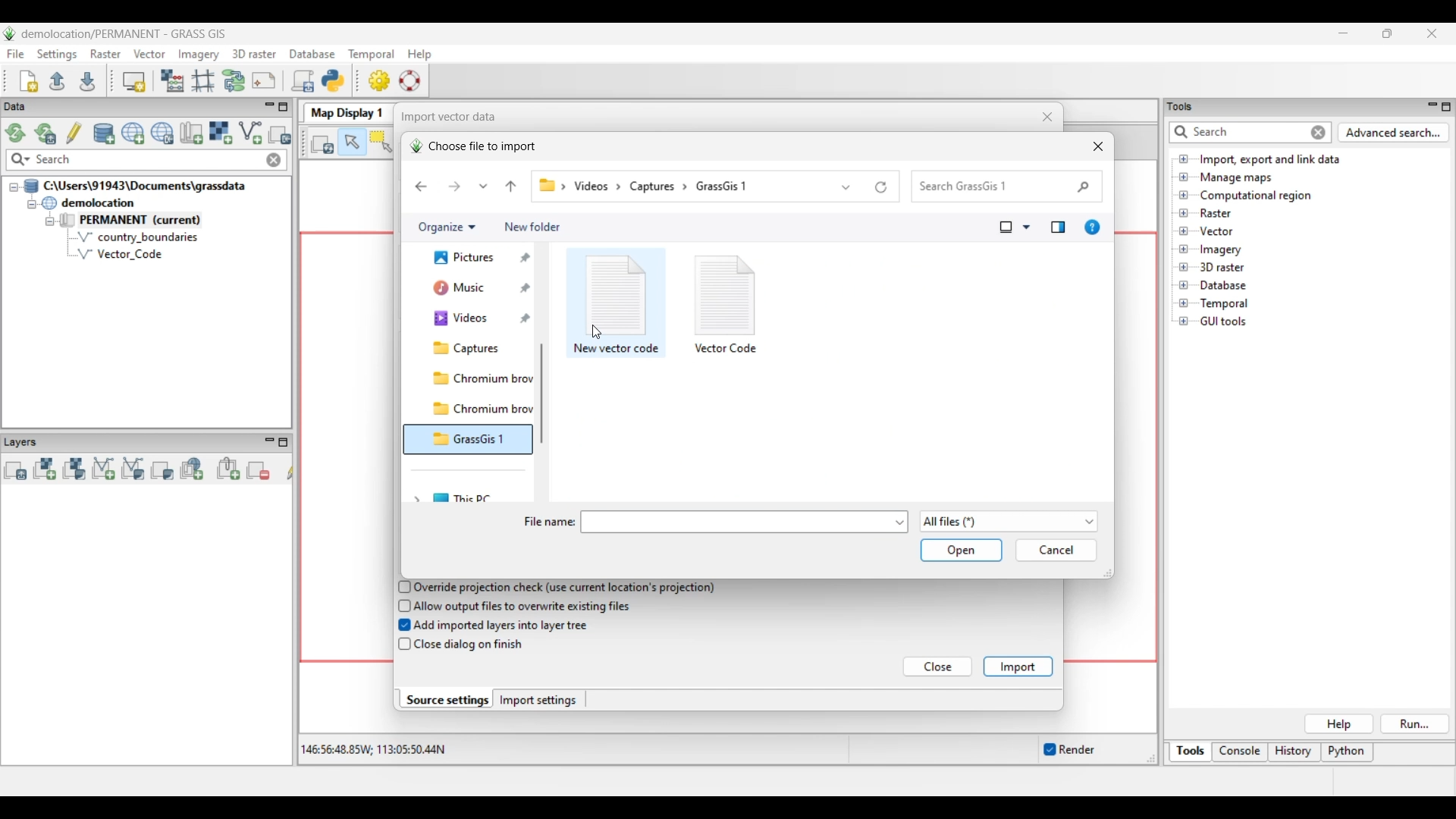  Describe the element at coordinates (1220, 250) in the screenshot. I see `Double click to see files under Imagery` at that location.